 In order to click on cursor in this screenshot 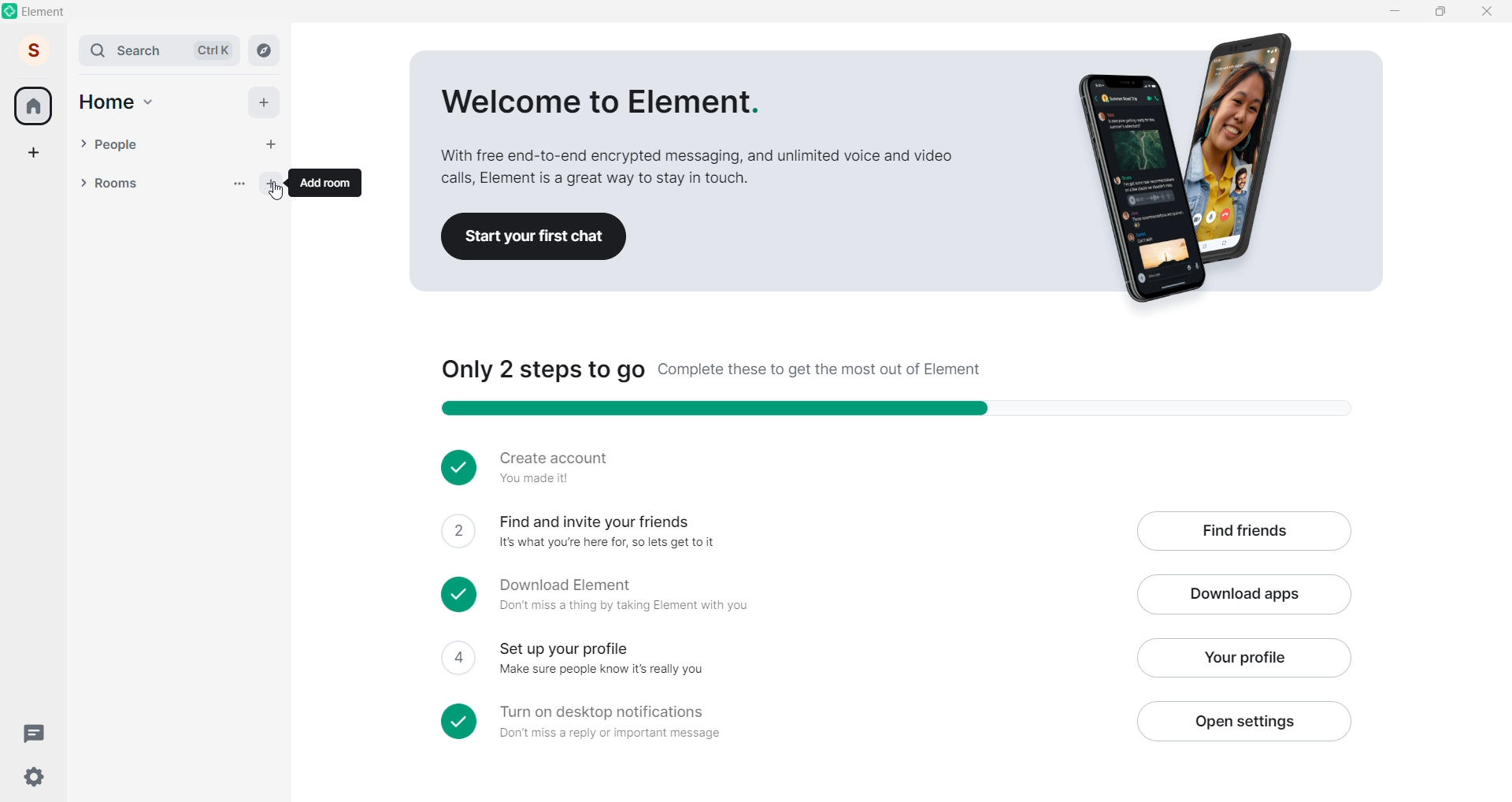, I will do `click(276, 191)`.